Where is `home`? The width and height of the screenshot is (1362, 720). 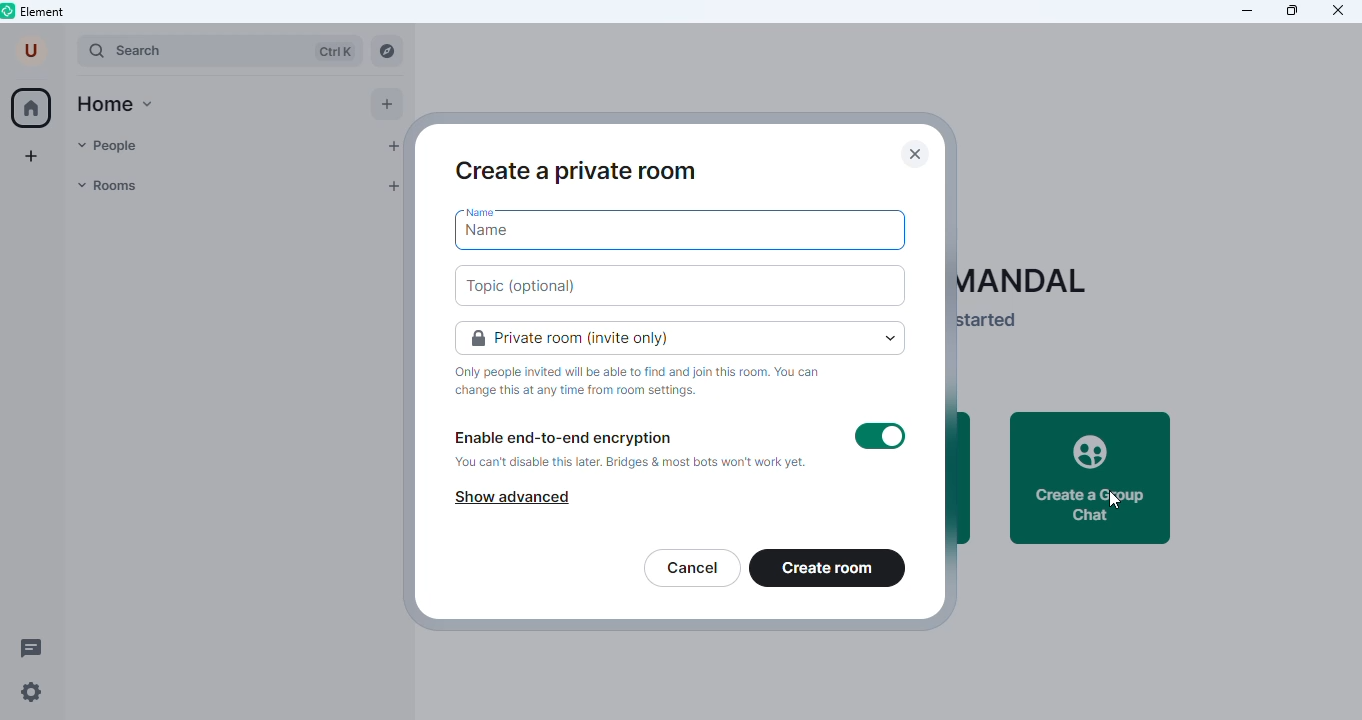
home is located at coordinates (120, 106).